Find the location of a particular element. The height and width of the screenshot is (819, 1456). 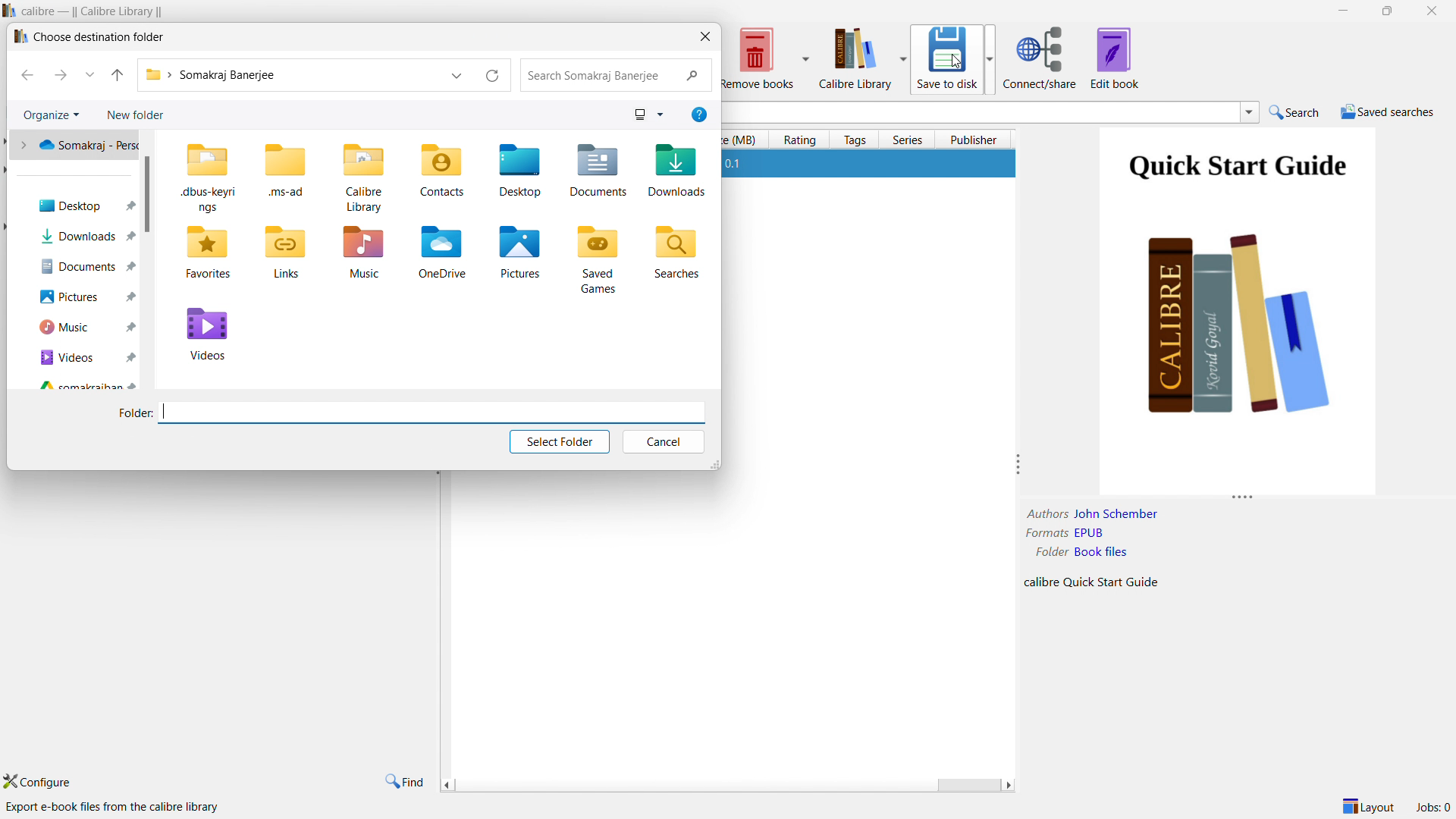

cloe dialoguebox is located at coordinates (704, 35).